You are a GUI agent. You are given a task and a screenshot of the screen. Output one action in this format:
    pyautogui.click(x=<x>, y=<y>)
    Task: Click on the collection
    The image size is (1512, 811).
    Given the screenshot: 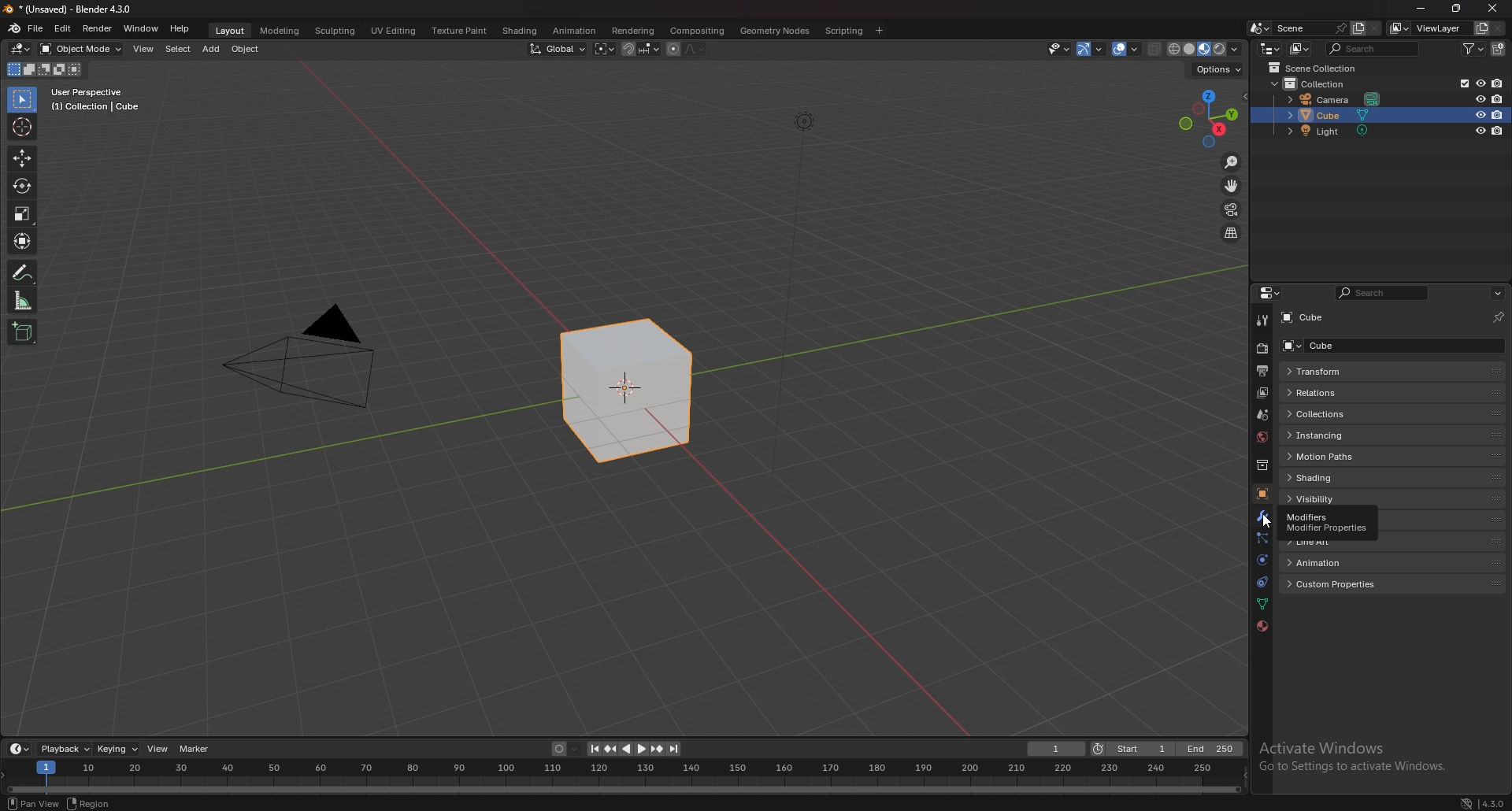 What is the action you would take?
    pyautogui.click(x=1325, y=85)
    